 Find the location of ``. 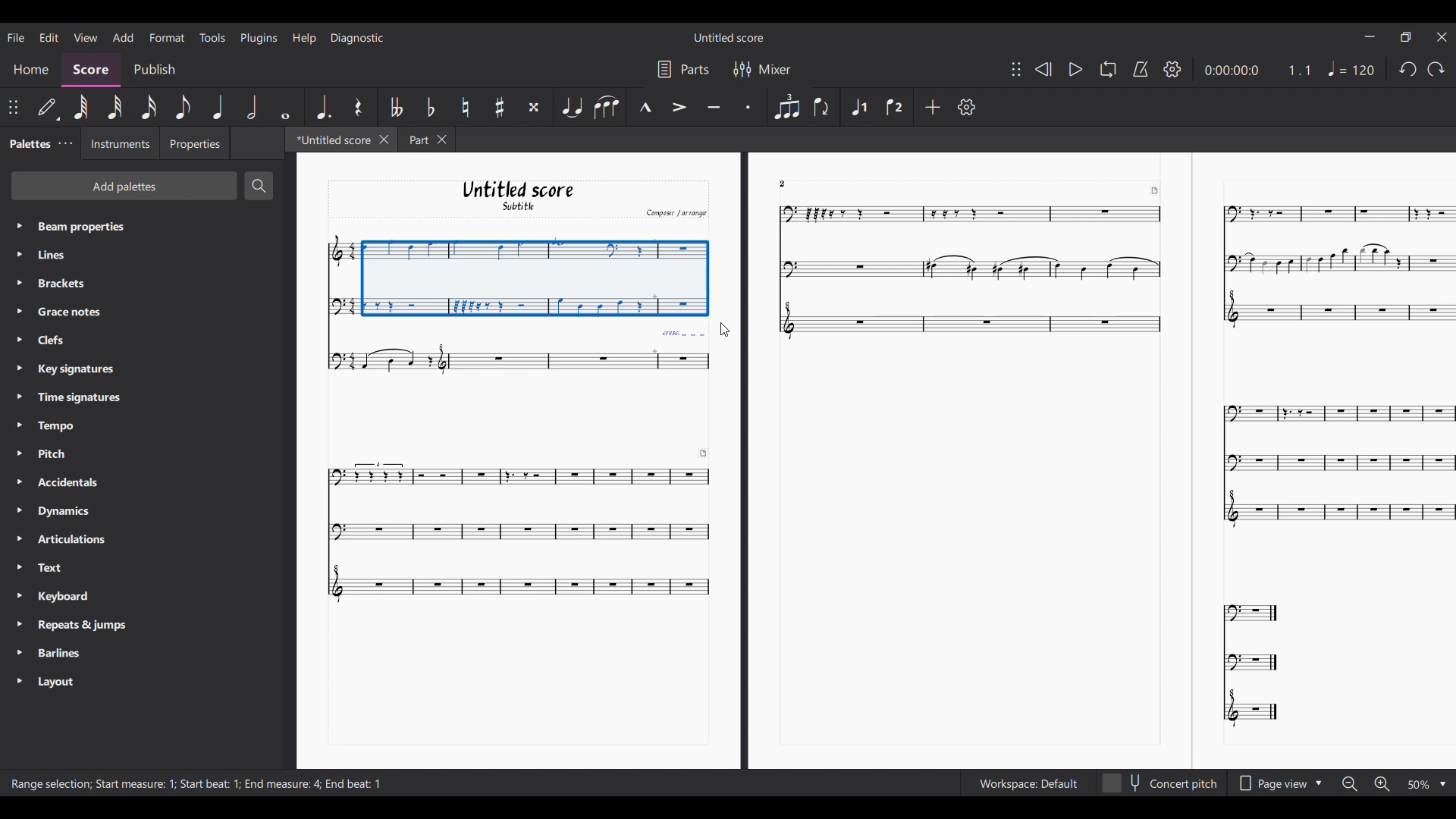

 is located at coordinates (17, 512).